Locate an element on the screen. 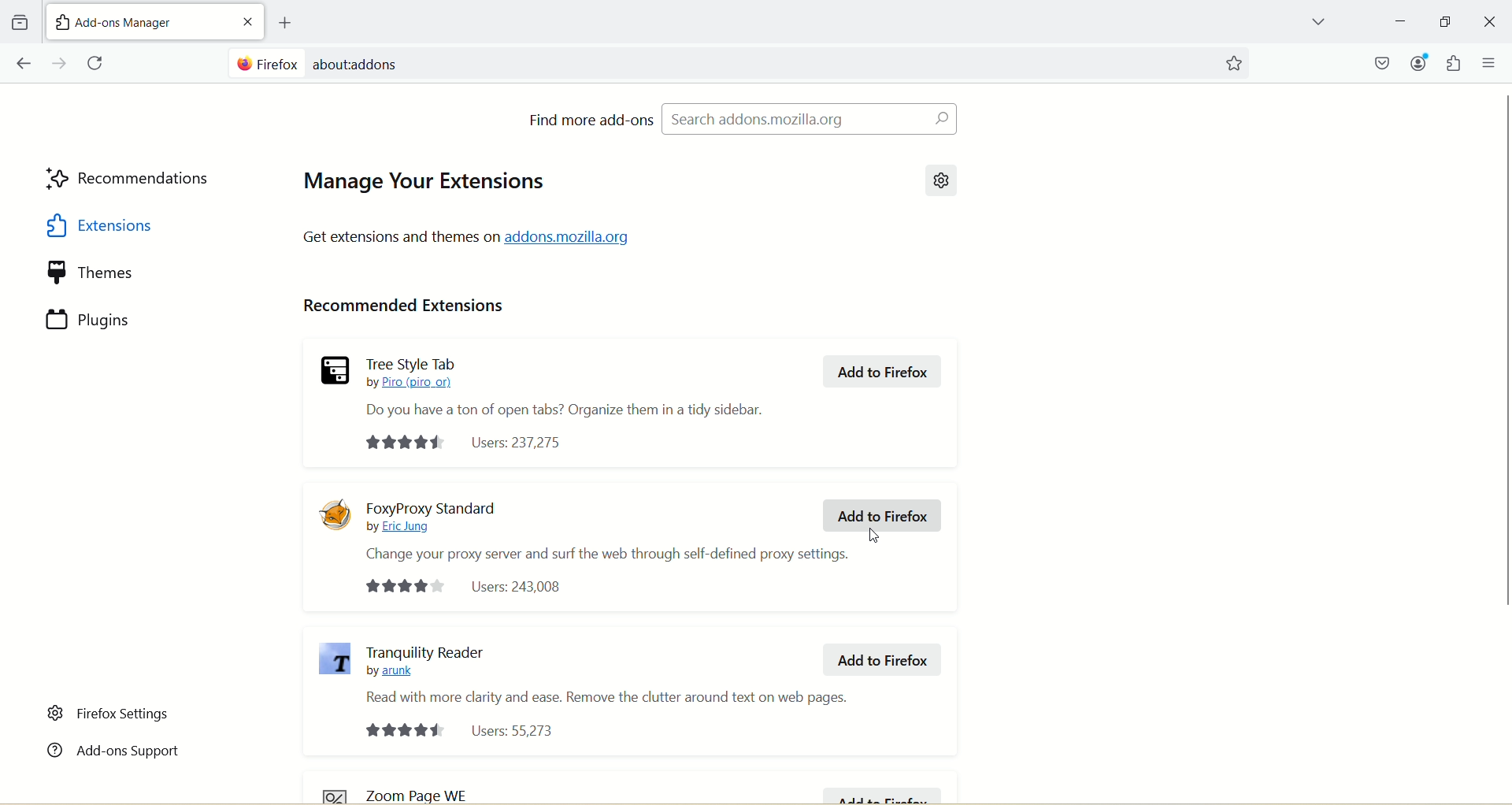  Users: 55,273 is located at coordinates (465, 731).